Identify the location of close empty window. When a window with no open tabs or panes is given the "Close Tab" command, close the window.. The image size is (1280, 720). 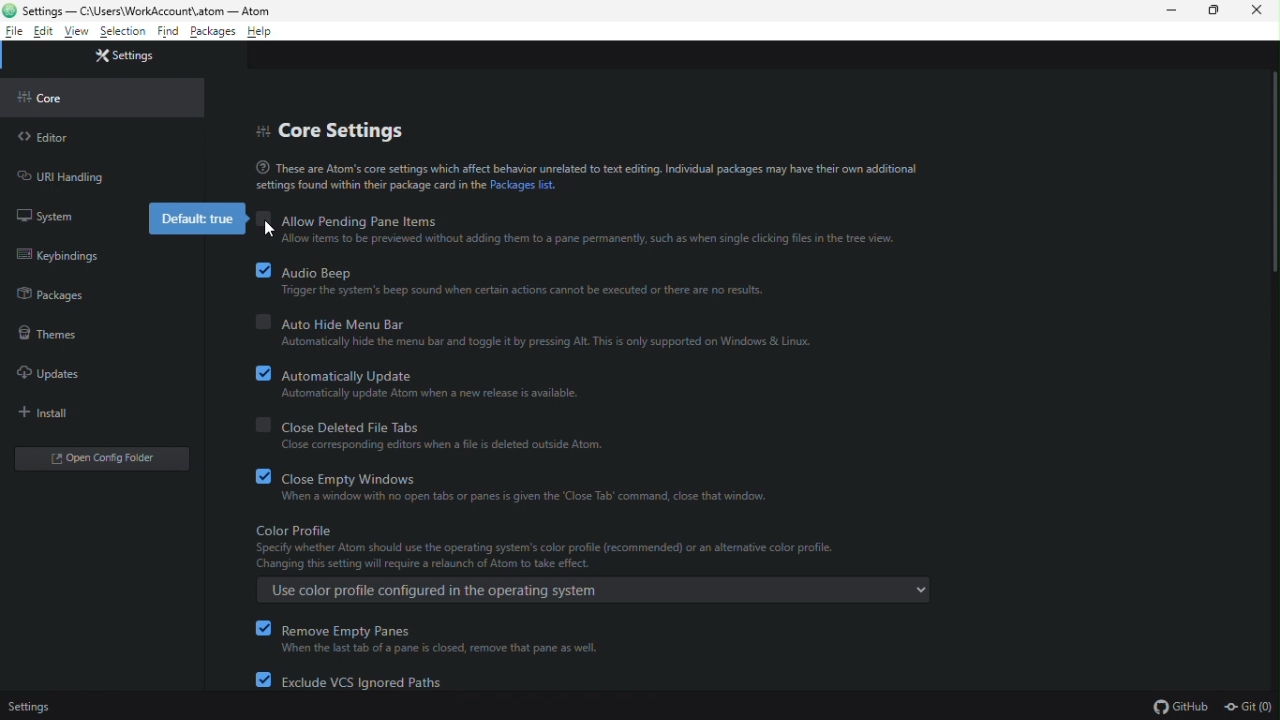
(512, 485).